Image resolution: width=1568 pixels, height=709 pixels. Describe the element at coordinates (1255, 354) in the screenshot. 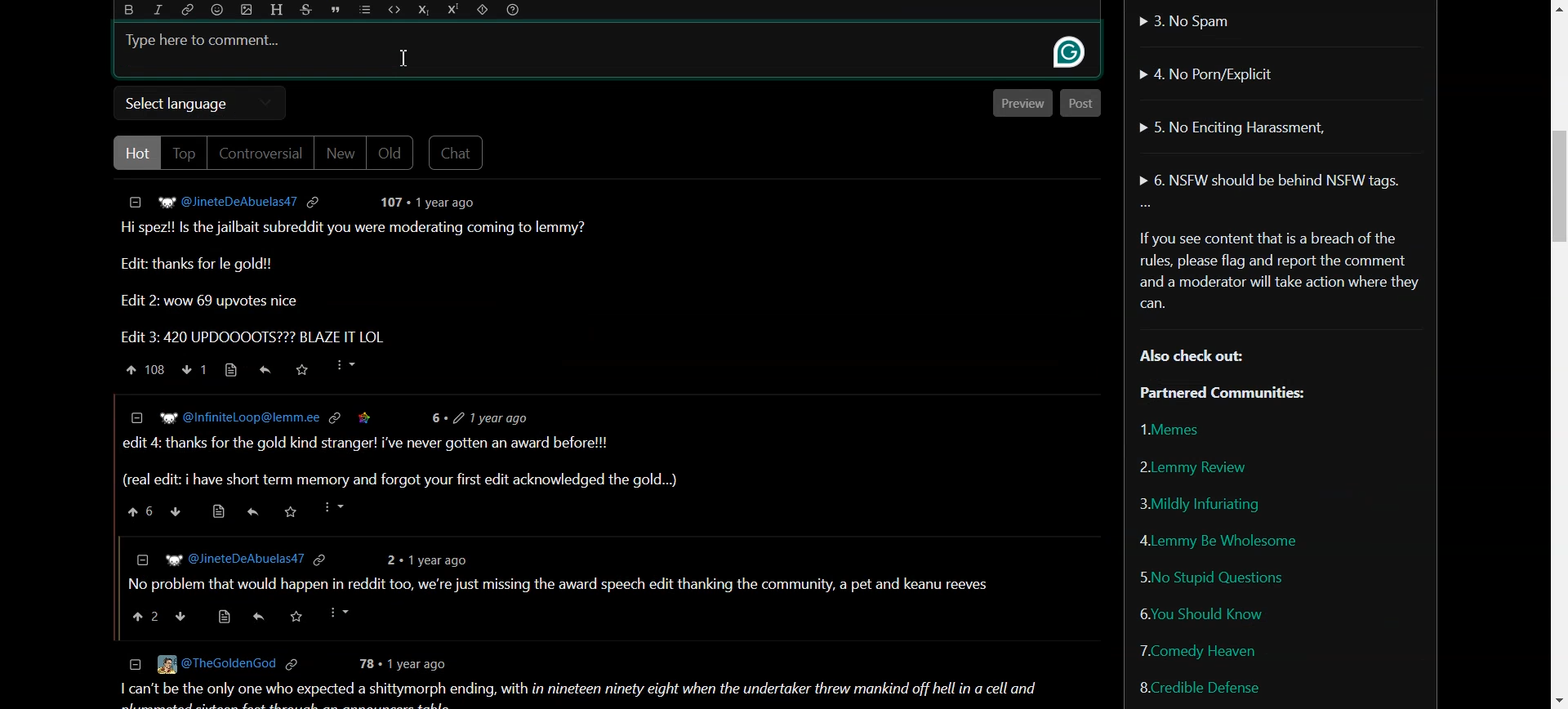

I see `Text` at that location.